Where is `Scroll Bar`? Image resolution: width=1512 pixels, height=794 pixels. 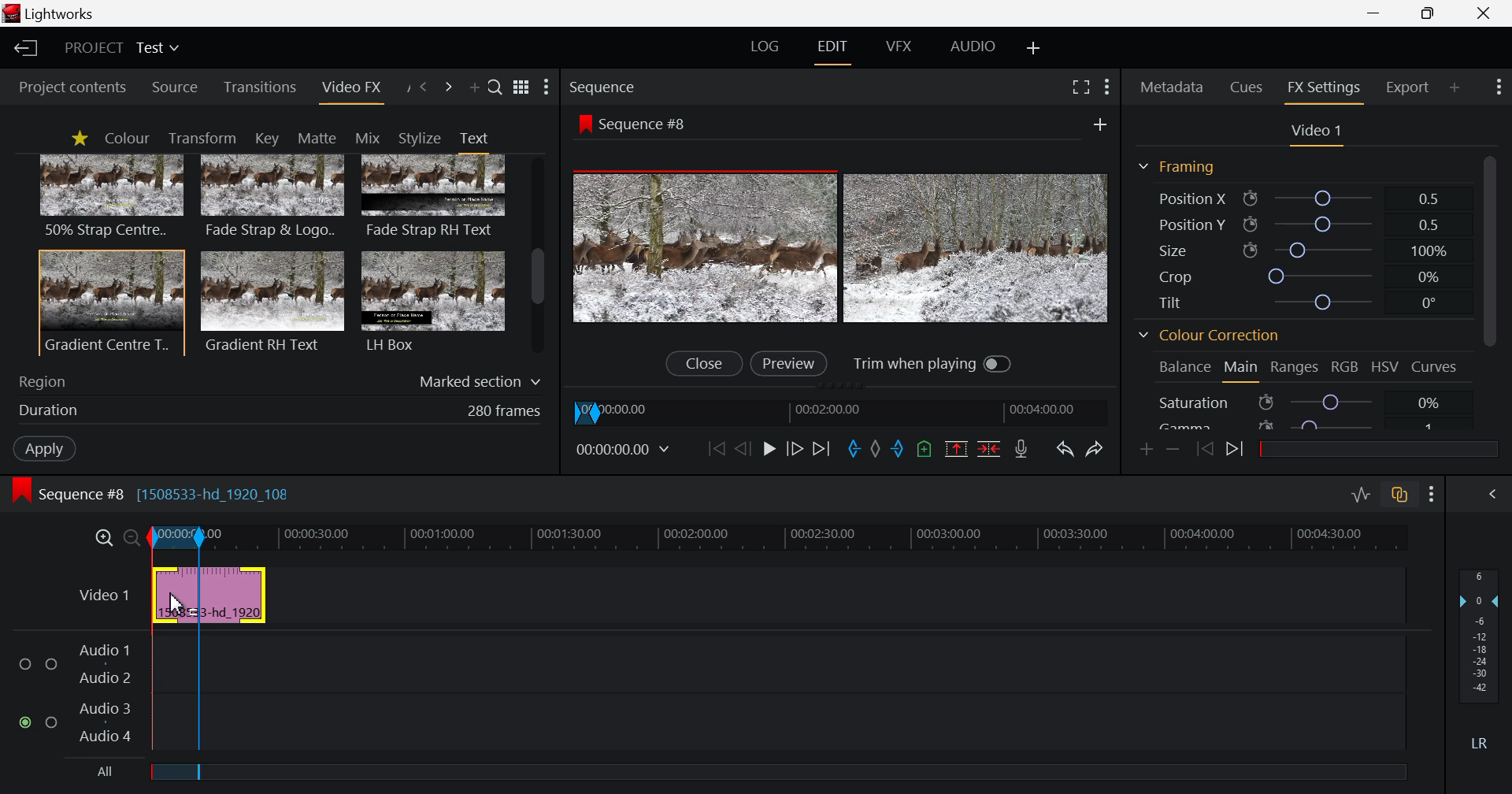
Scroll Bar is located at coordinates (1489, 288).